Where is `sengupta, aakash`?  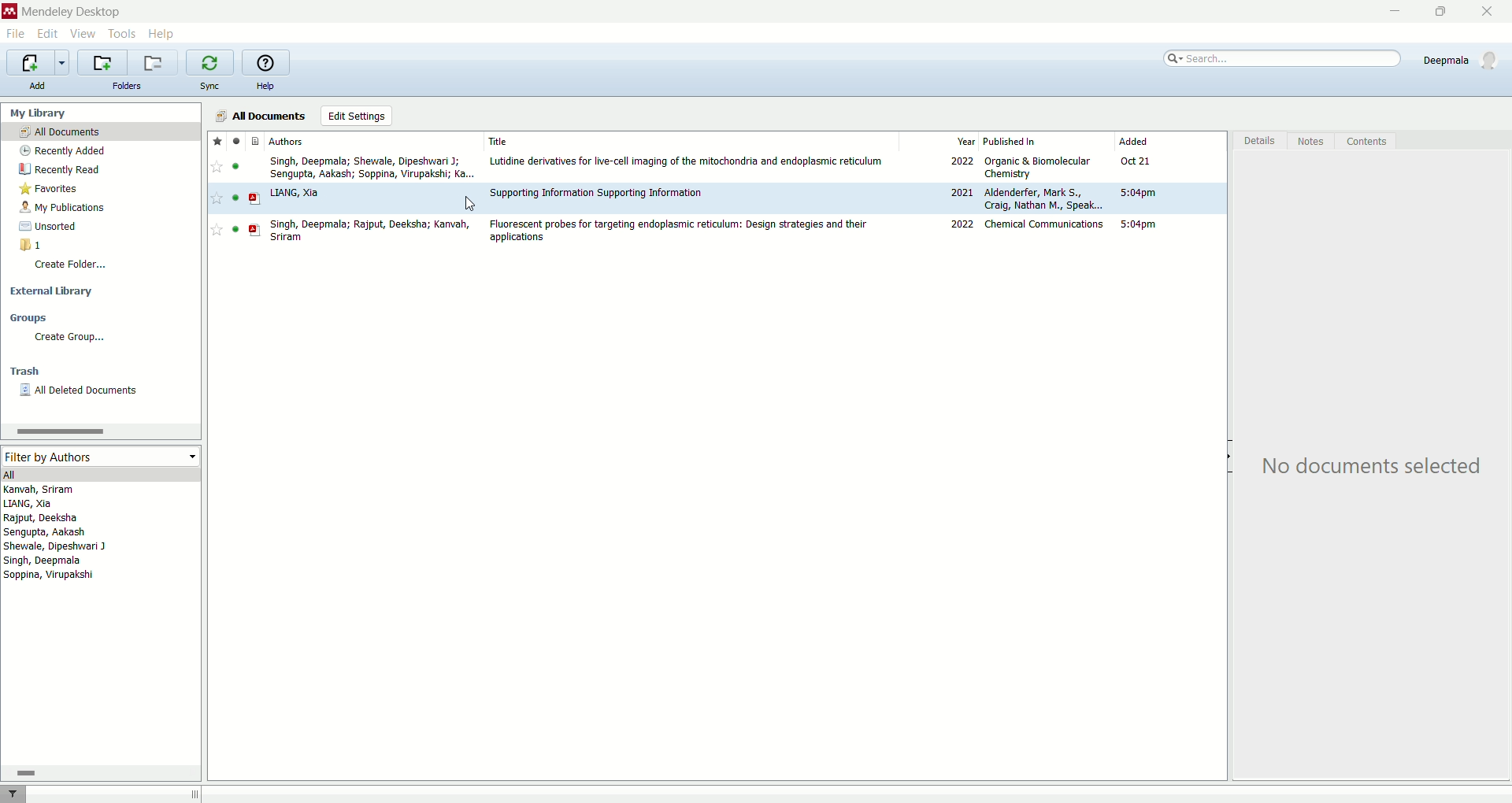
sengupta, aakash is located at coordinates (46, 532).